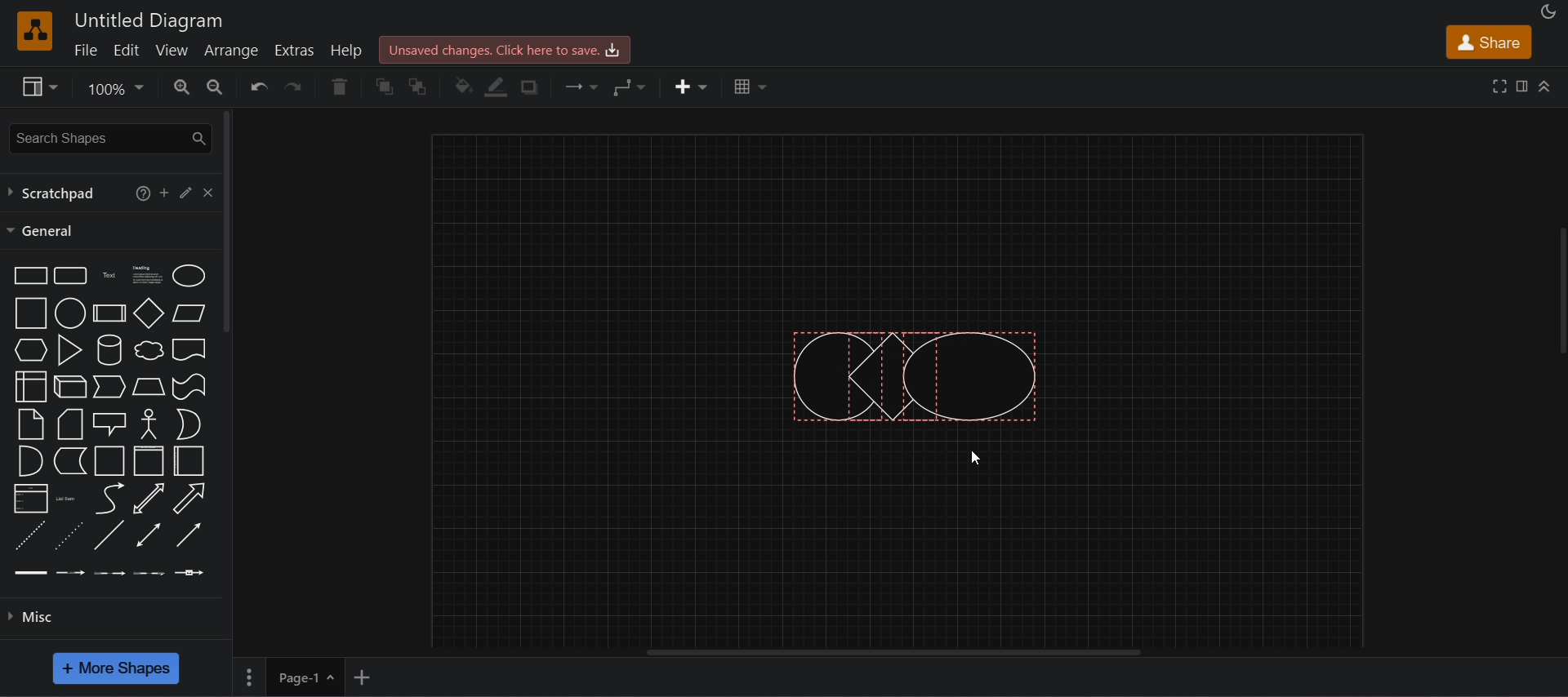 This screenshot has width=1568, height=697. What do you see at coordinates (149, 499) in the screenshot?
I see `Bidirectional arrow` at bounding box center [149, 499].